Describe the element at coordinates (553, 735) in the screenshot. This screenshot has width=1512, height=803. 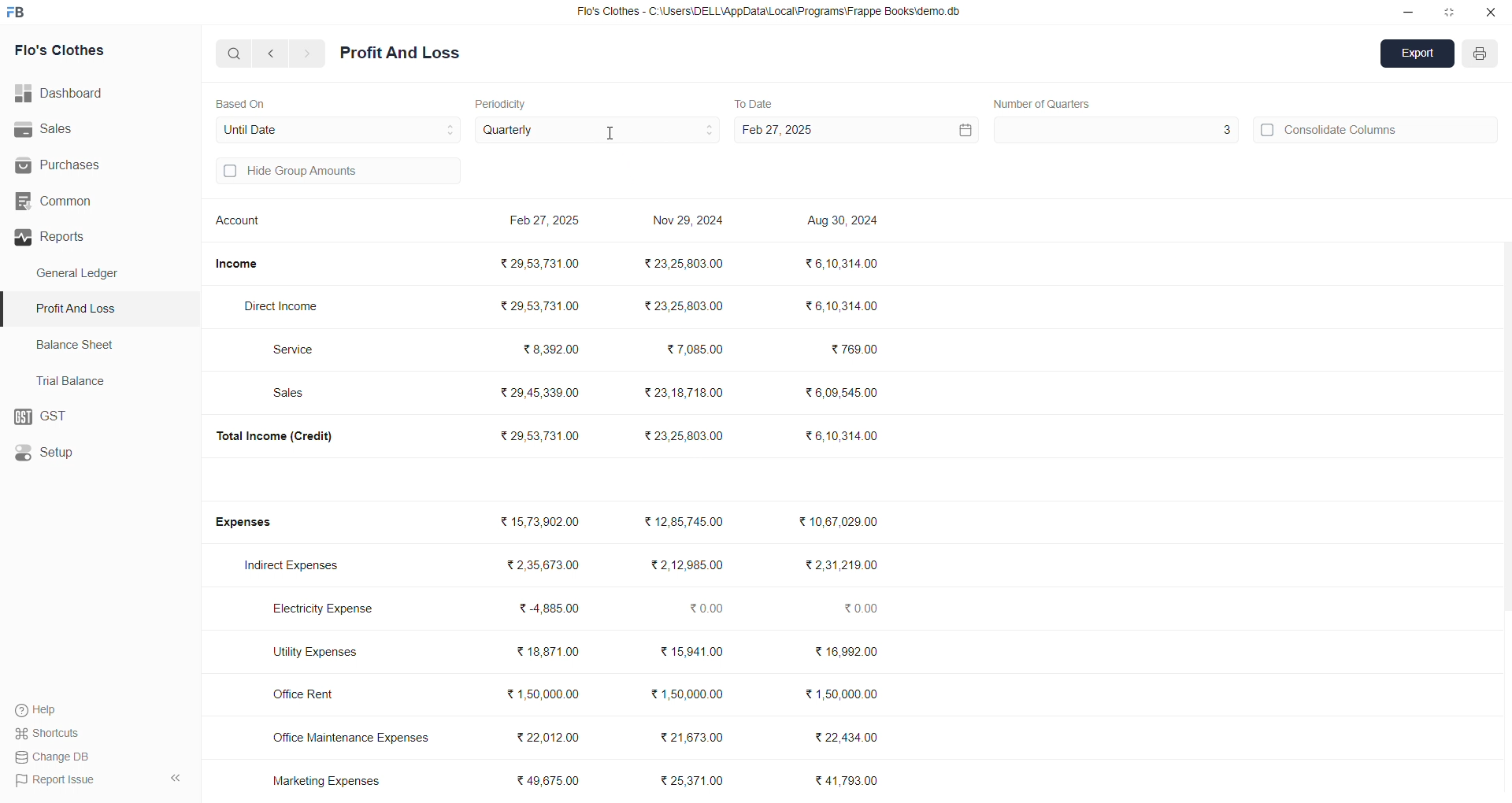
I see `₹22,012.00` at that location.